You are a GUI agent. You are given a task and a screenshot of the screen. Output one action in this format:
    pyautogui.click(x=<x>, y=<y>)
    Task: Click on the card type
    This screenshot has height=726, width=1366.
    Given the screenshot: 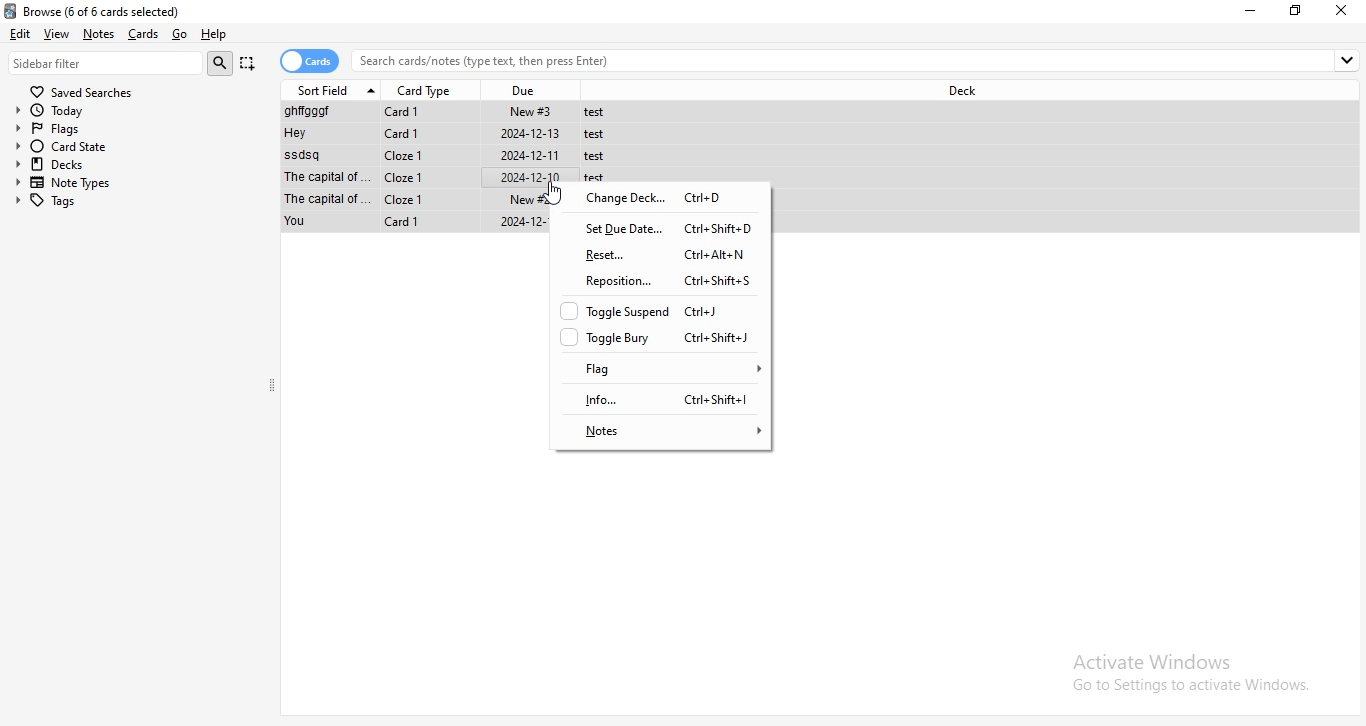 What is the action you would take?
    pyautogui.click(x=428, y=89)
    